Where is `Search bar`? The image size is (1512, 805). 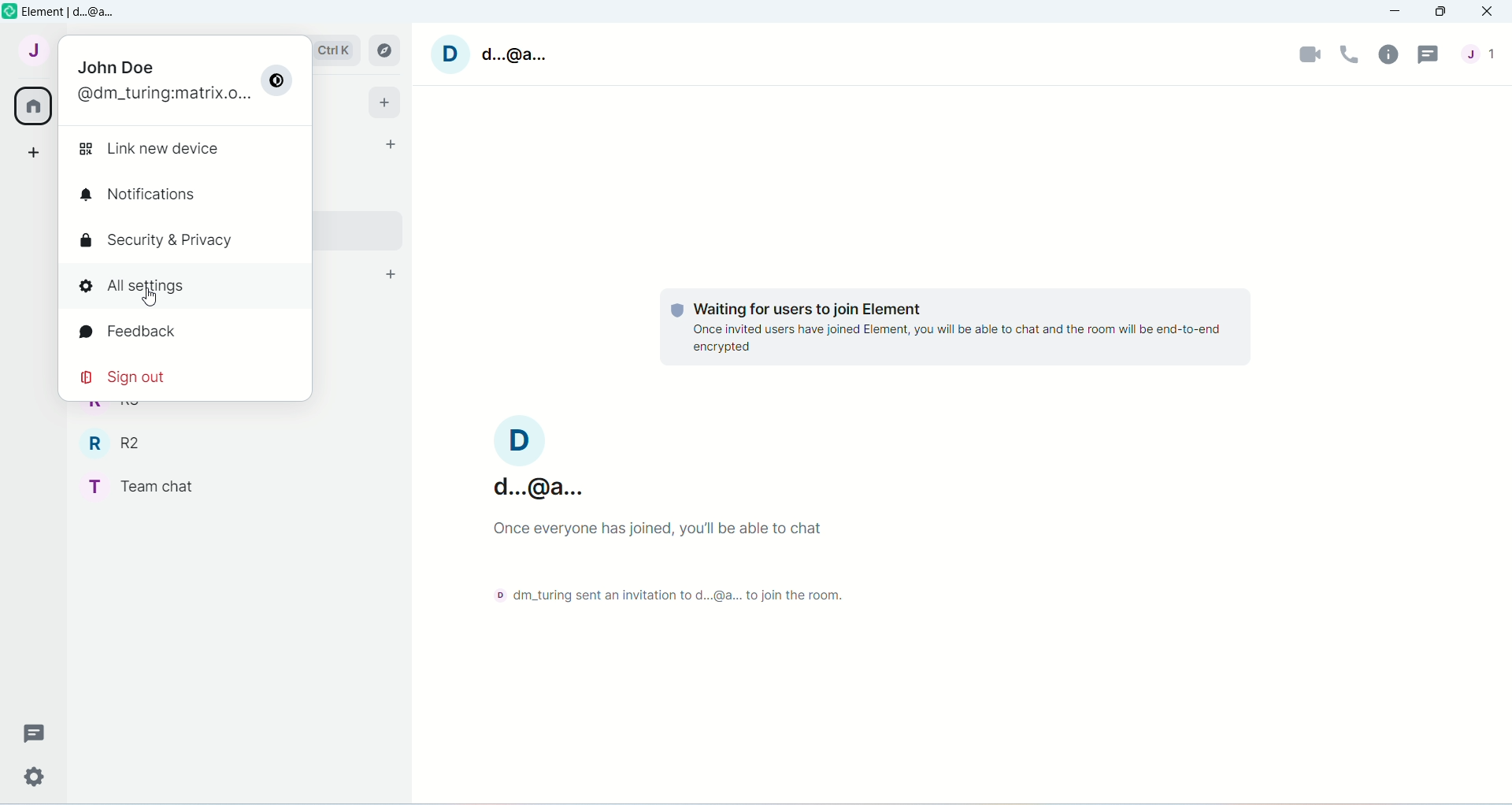
Search bar is located at coordinates (341, 50).